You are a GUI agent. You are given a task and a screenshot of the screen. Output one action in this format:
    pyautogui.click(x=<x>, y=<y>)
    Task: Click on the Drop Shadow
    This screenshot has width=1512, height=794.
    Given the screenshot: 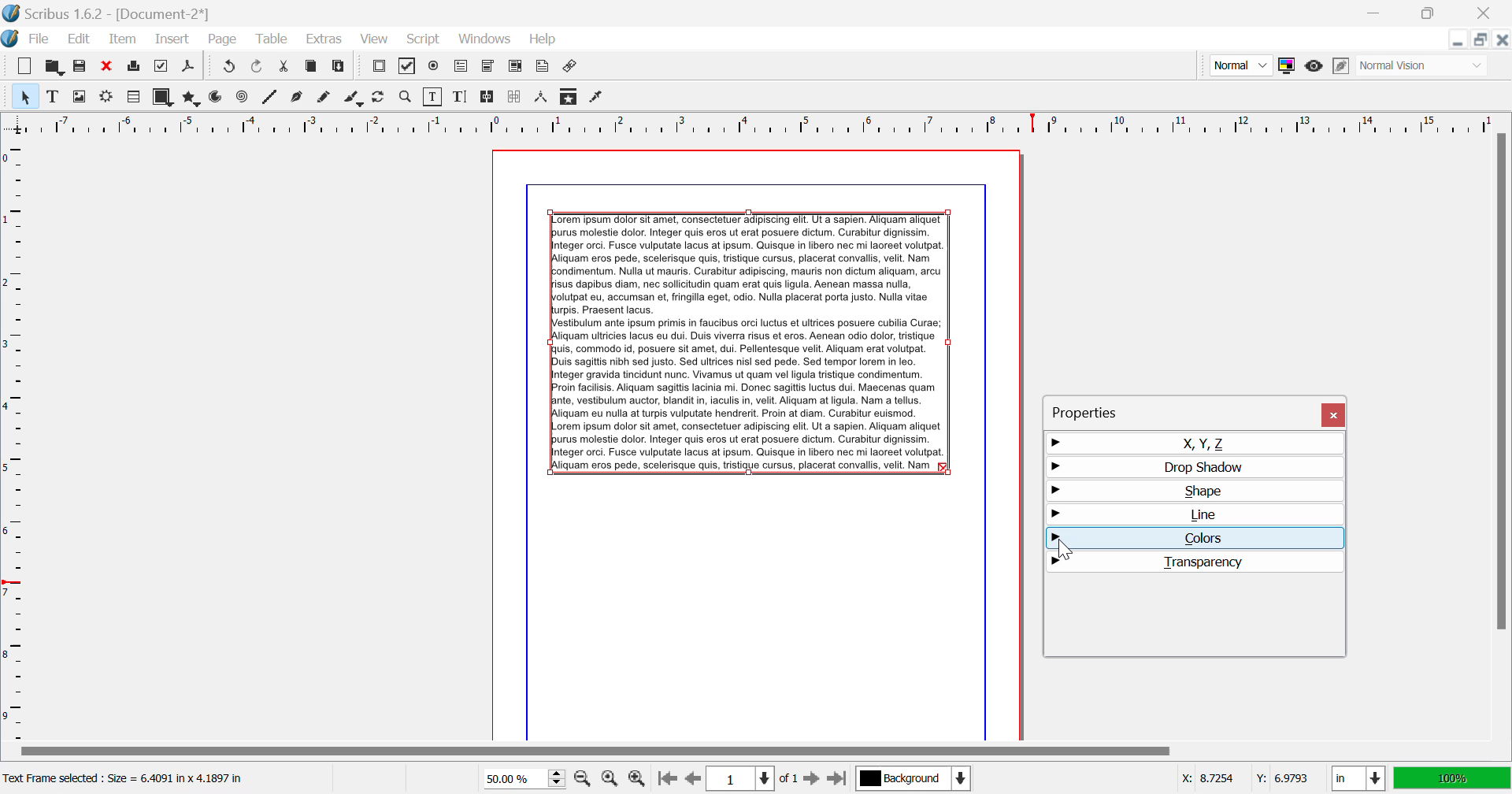 What is the action you would take?
    pyautogui.click(x=1195, y=466)
    